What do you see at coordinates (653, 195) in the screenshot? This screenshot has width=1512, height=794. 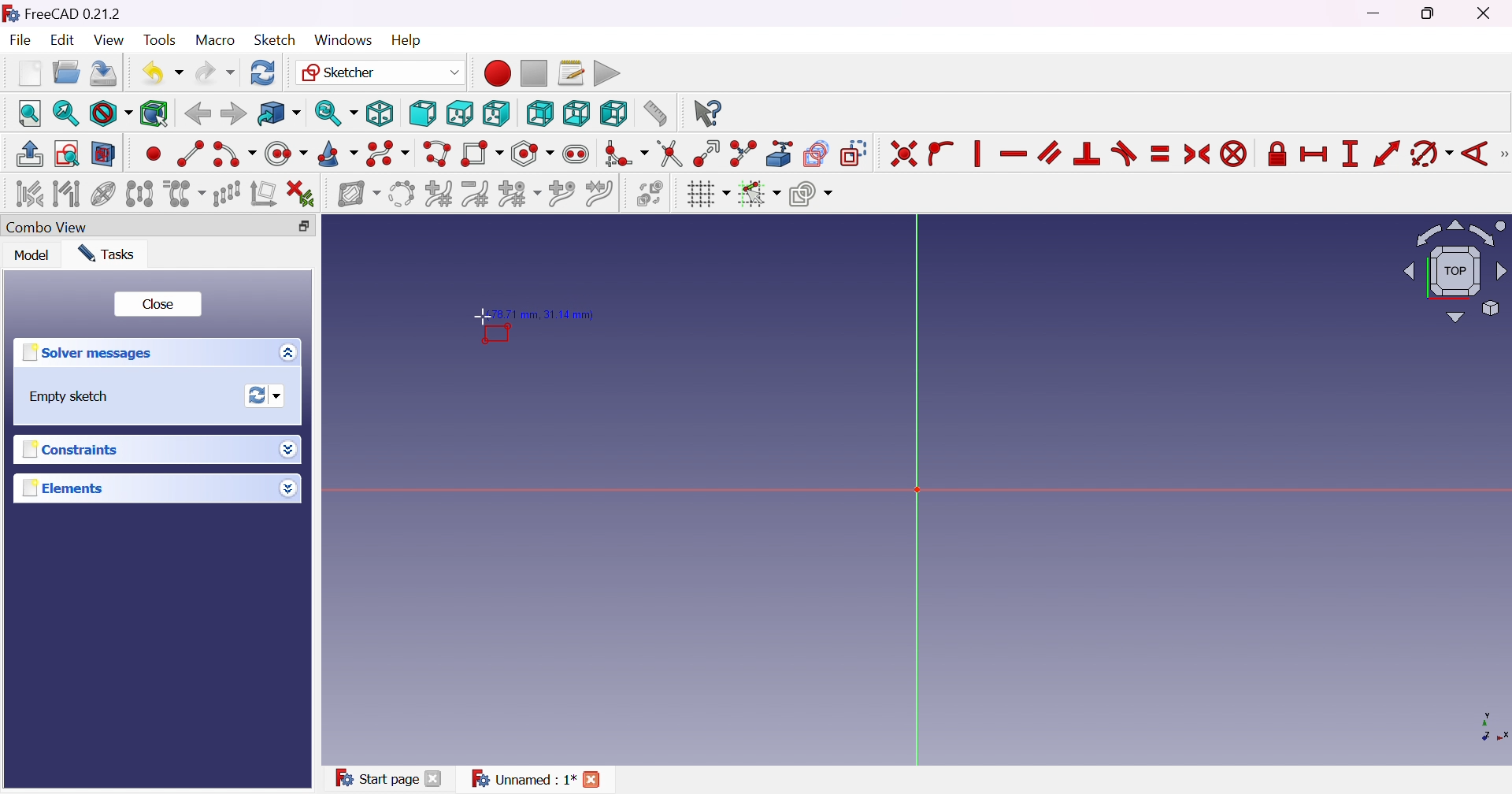 I see `Switch virtual space` at bounding box center [653, 195].